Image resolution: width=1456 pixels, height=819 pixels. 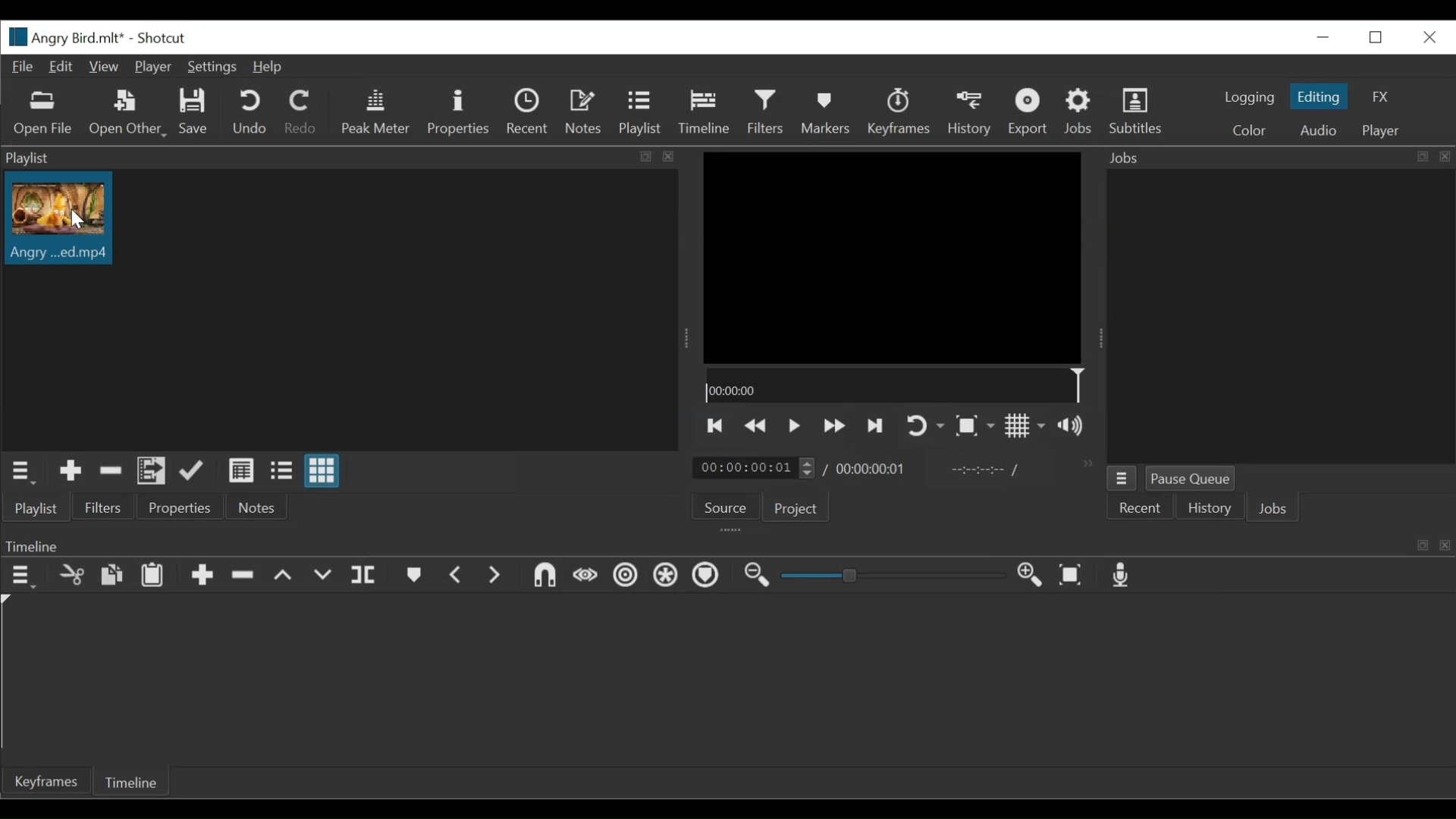 I want to click on Playlist, so click(x=639, y=114).